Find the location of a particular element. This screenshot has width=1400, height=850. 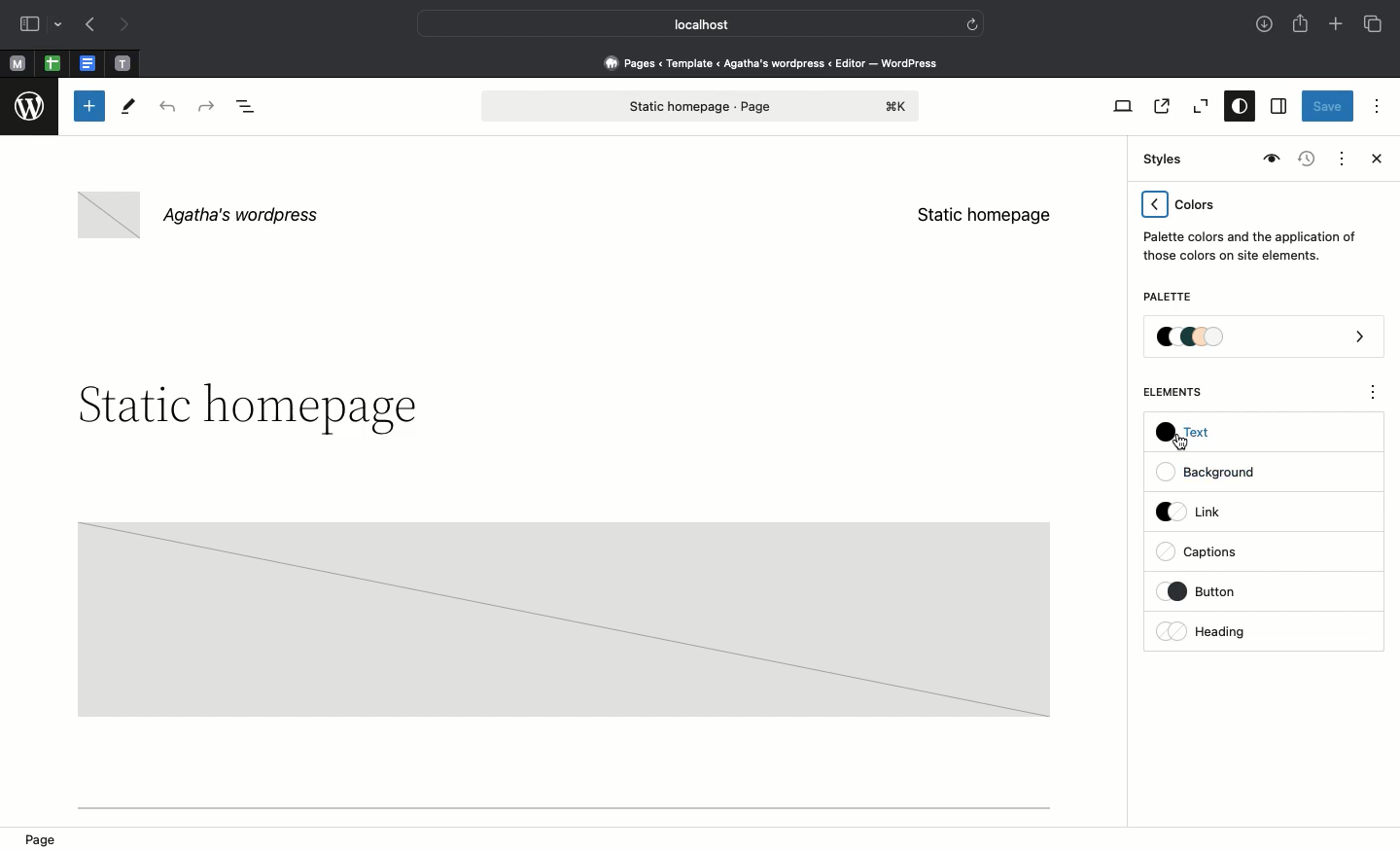

Sidebar is located at coordinates (29, 24).